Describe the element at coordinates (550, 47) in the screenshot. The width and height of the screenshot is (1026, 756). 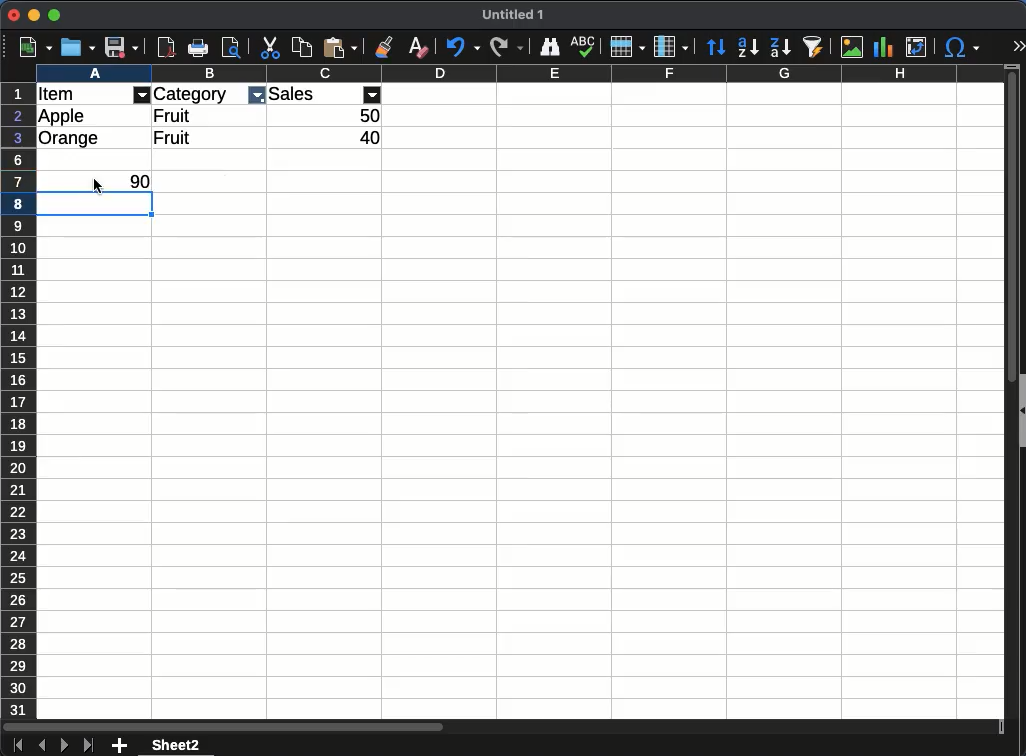
I see `finder` at that location.